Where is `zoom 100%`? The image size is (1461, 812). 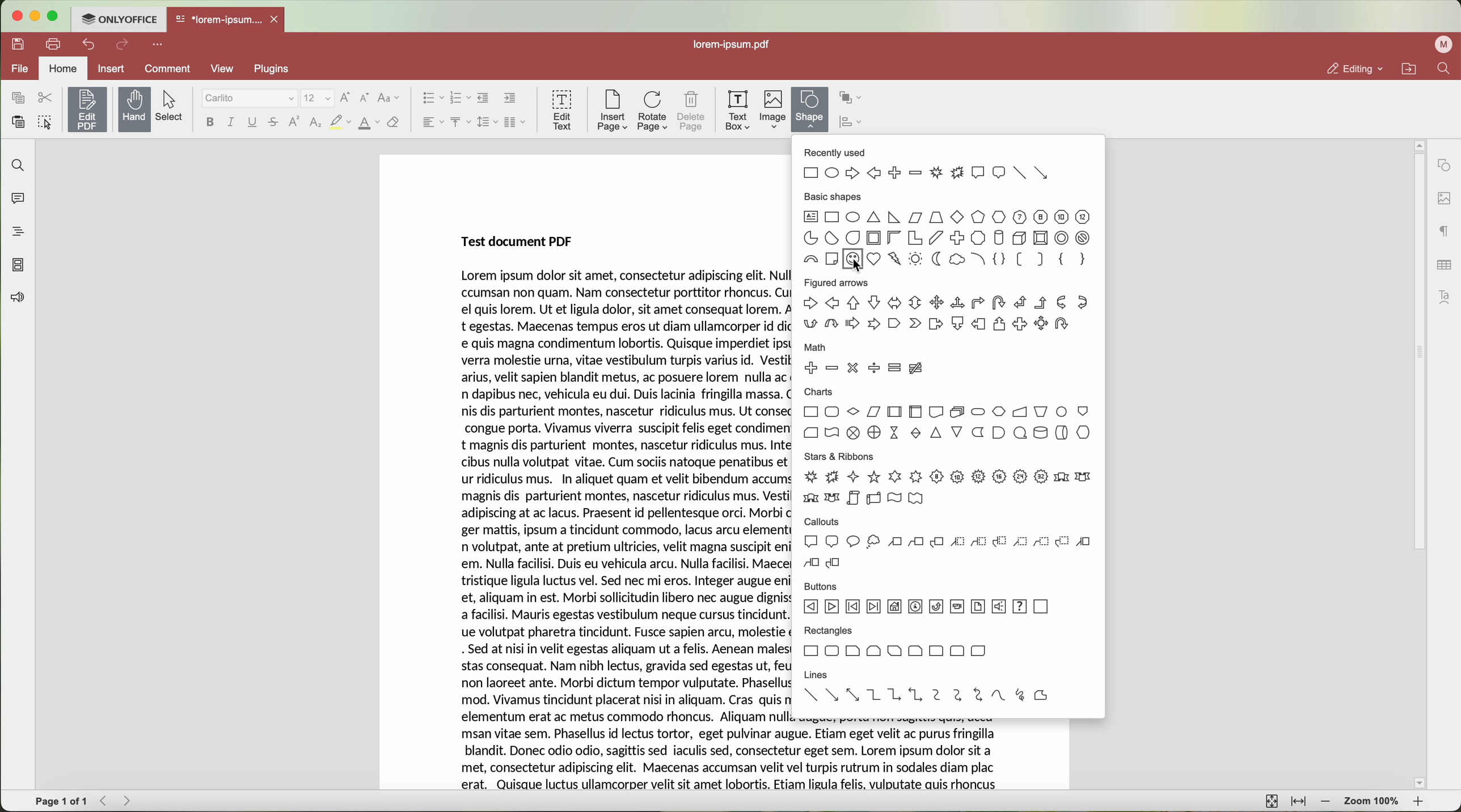 zoom 100% is located at coordinates (1371, 802).